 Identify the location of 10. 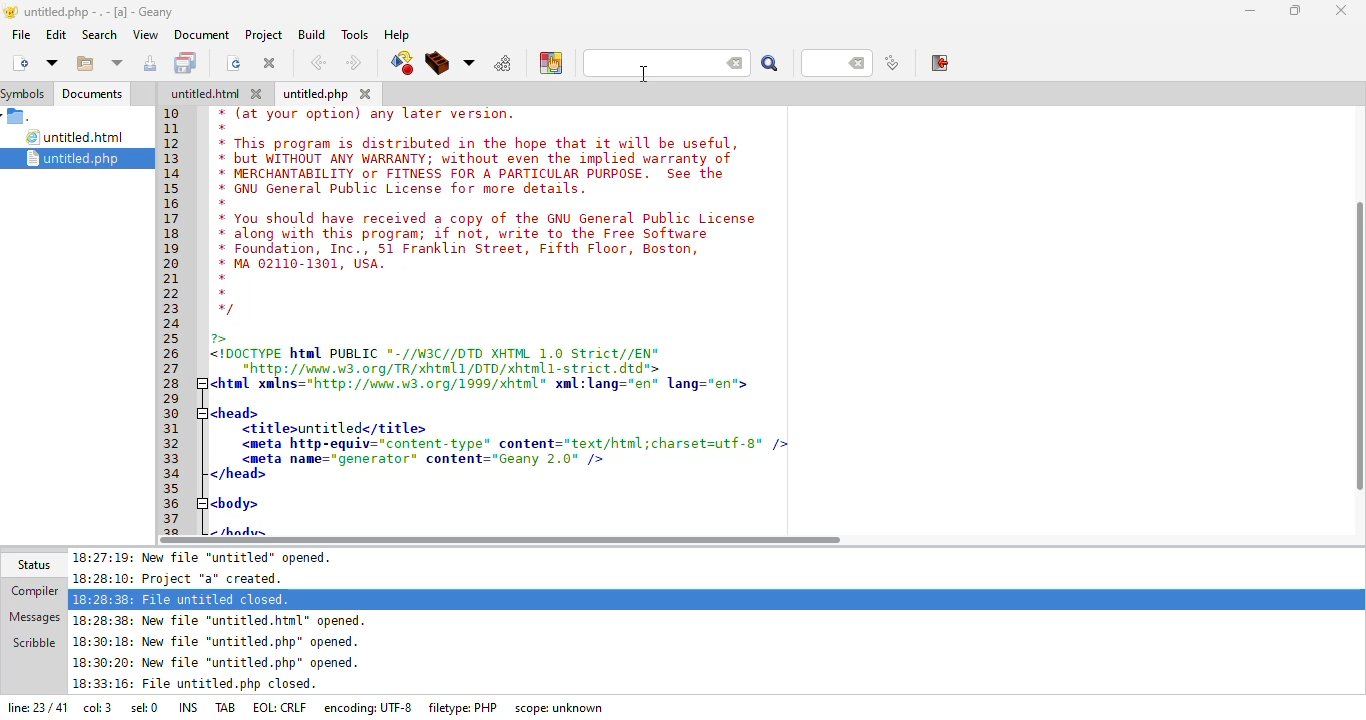
(172, 113).